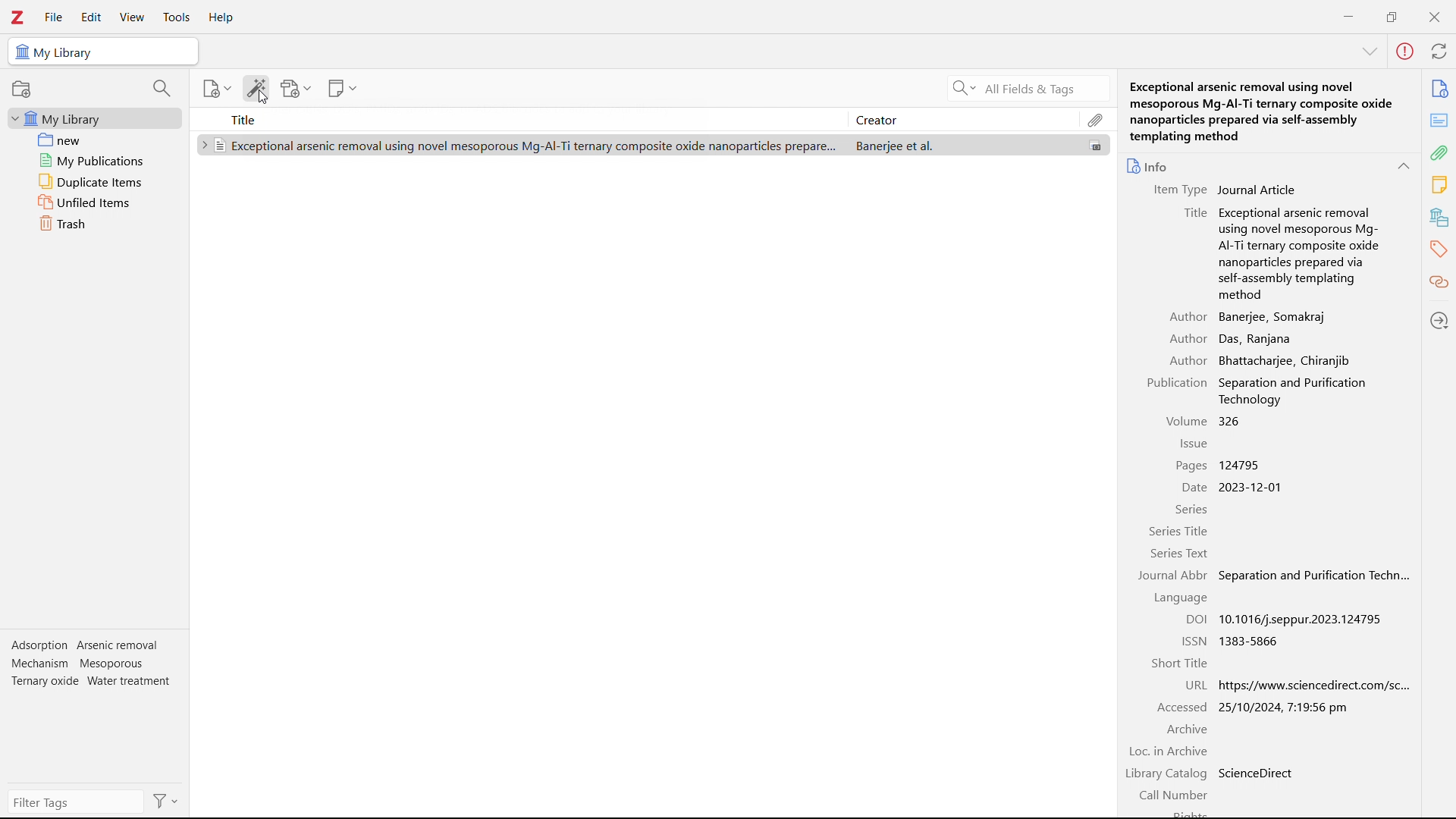 Image resolution: width=1456 pixels, height=819 pixels. Describe the element at coordinates (1194, 212) in the screenshot. I see `title` at that location.